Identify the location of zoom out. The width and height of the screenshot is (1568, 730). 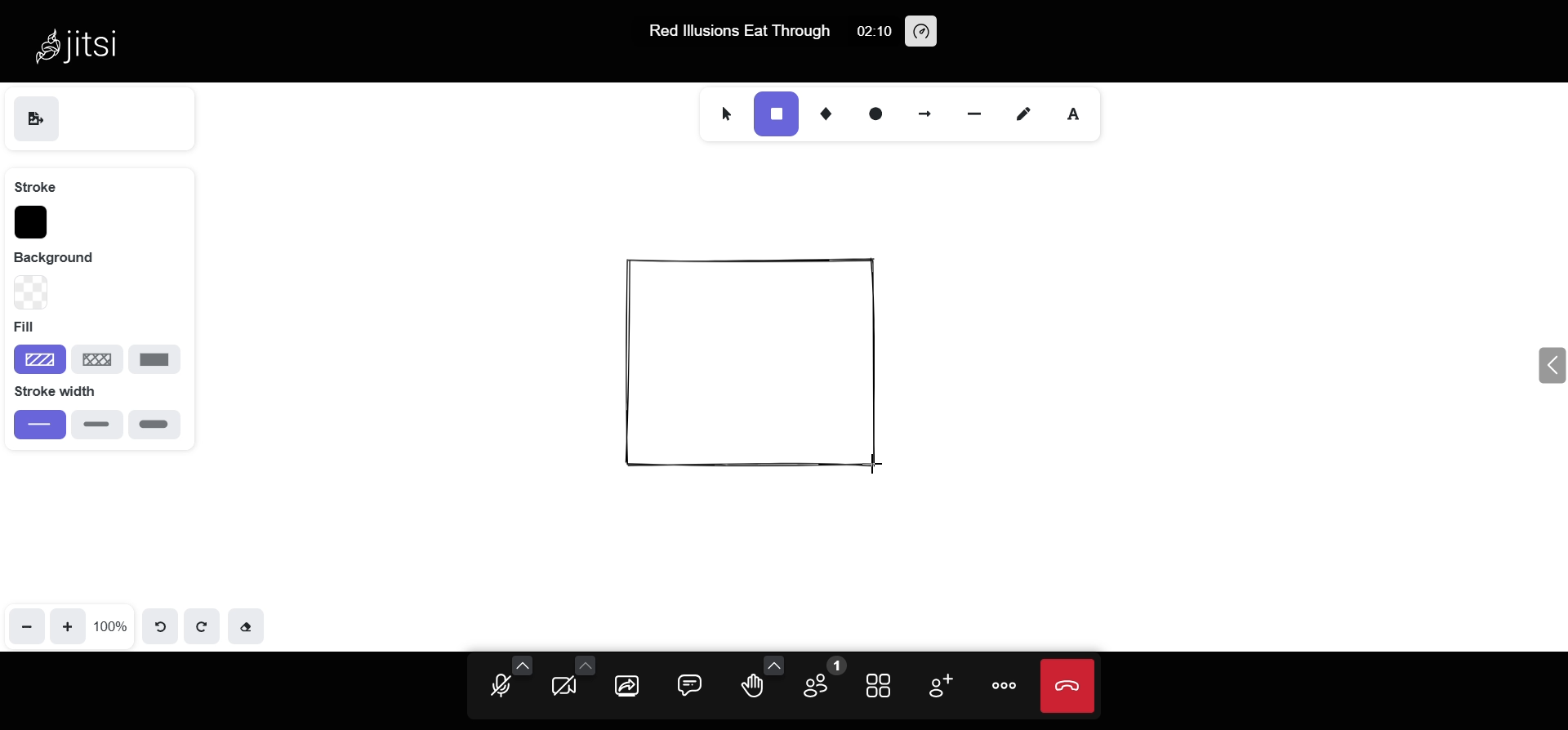
(26, 625).